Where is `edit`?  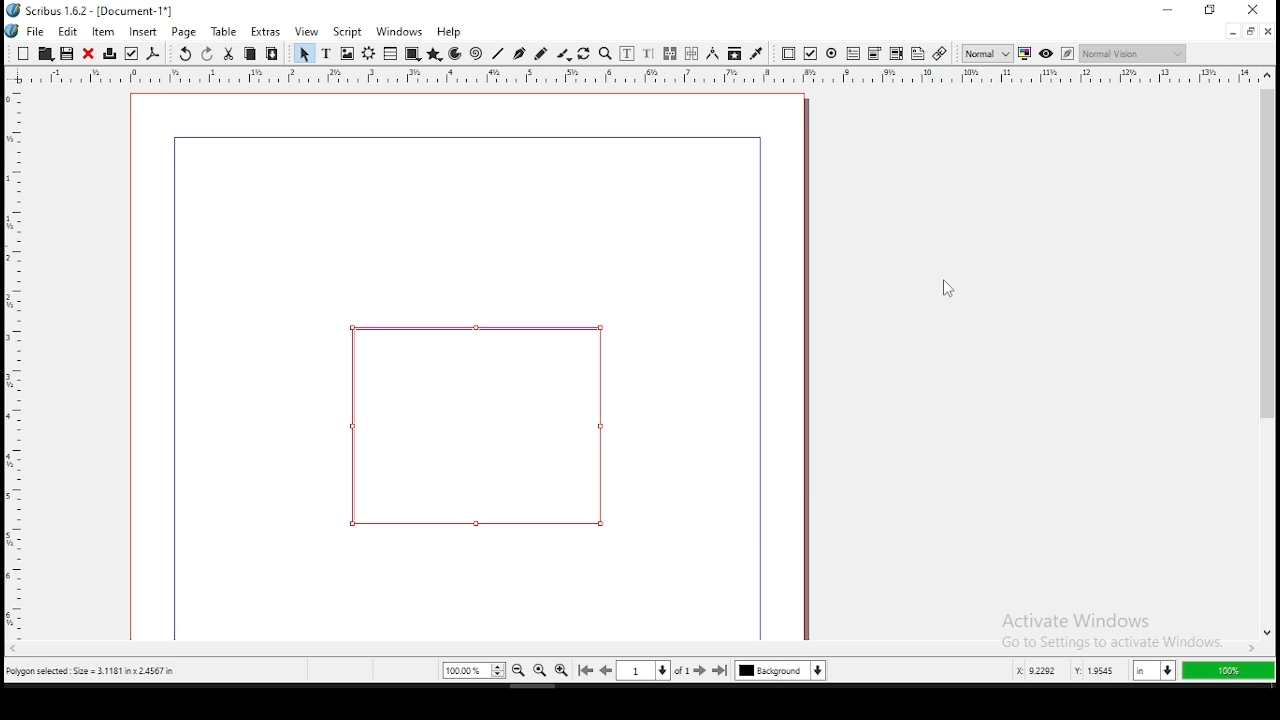
edit is located at coordinates (68, 31).